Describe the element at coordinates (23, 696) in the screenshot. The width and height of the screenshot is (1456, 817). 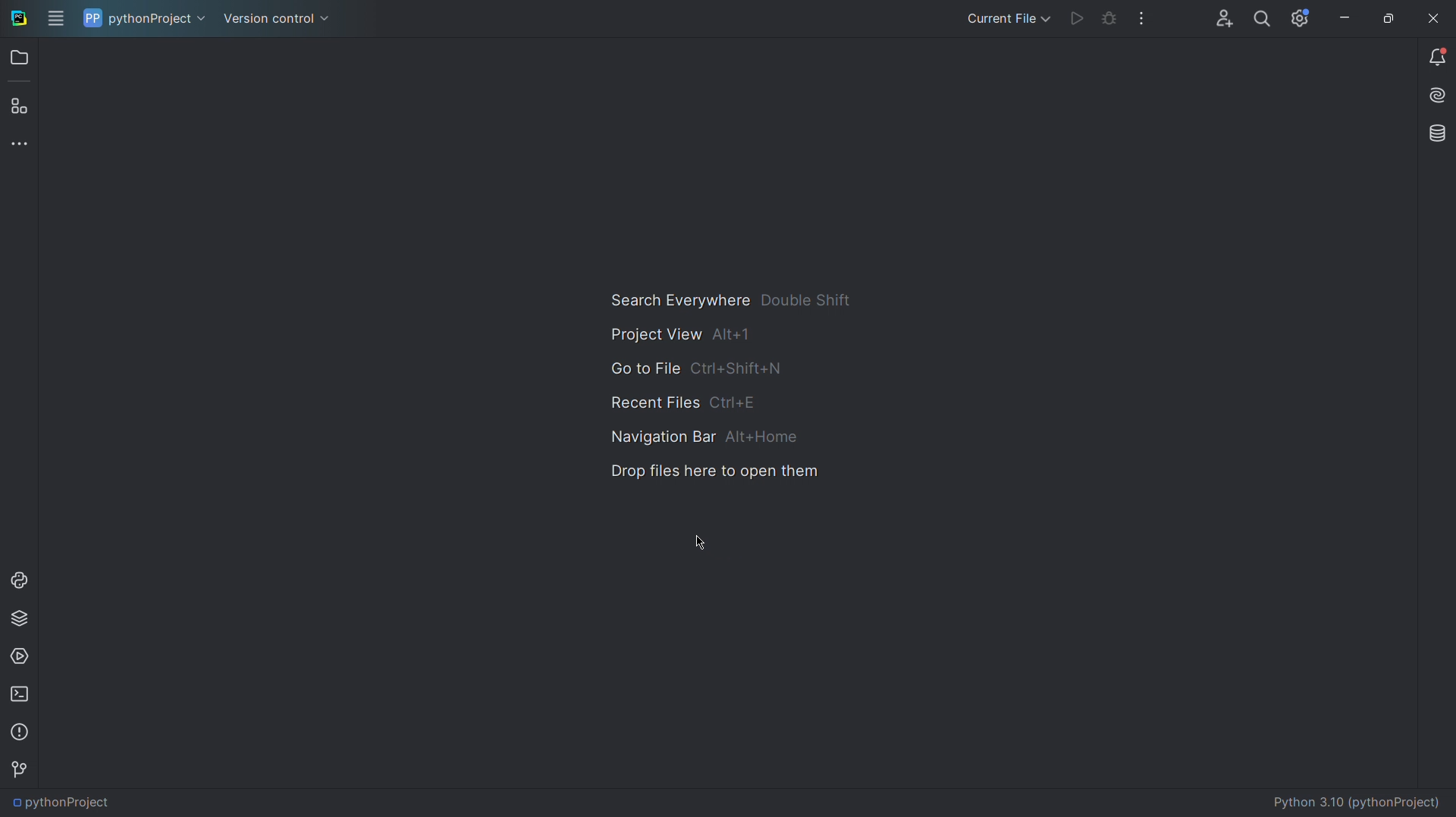
I see `Terminal` at that location.